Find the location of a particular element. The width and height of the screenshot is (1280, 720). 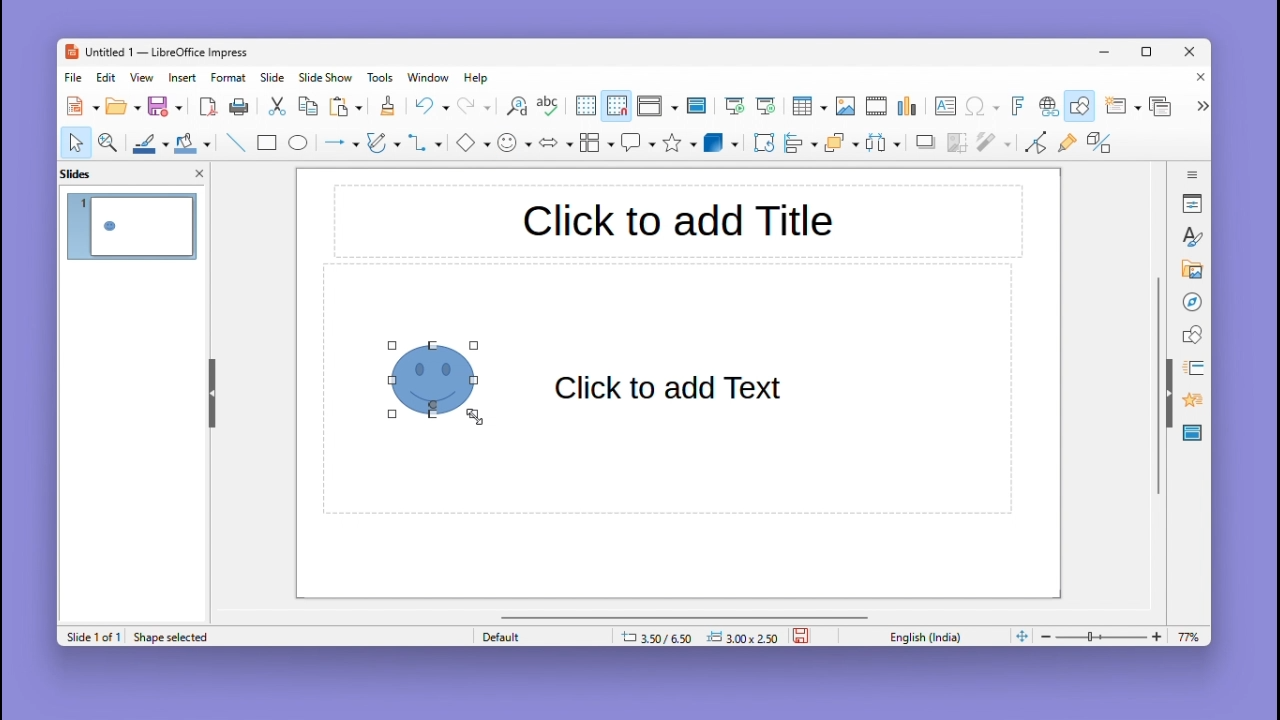

Symbol is located at coordinates (516, 142).